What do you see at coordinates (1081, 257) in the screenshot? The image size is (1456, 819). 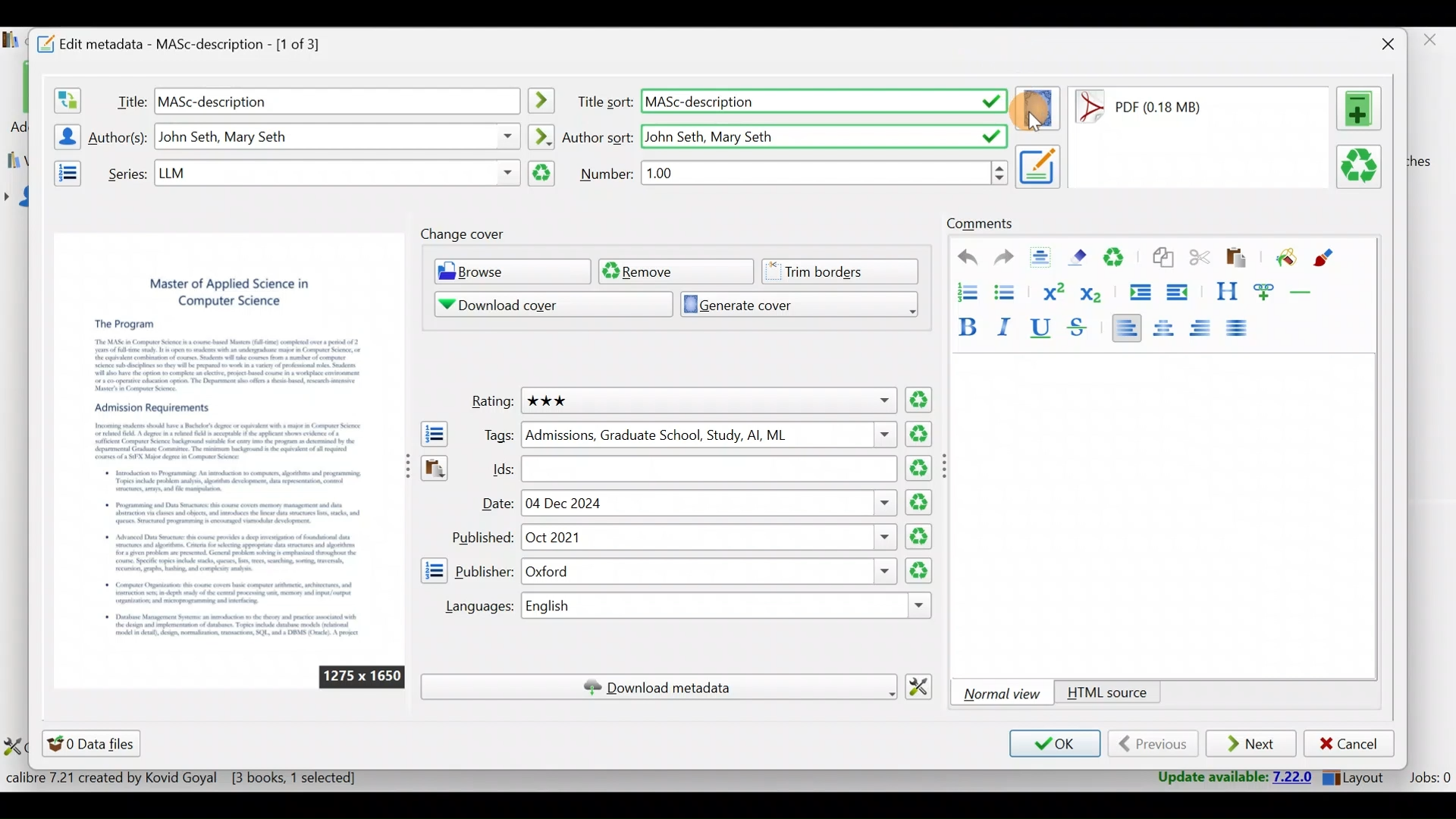 I see `Remove formatting` at bounding box center [1081, 257].